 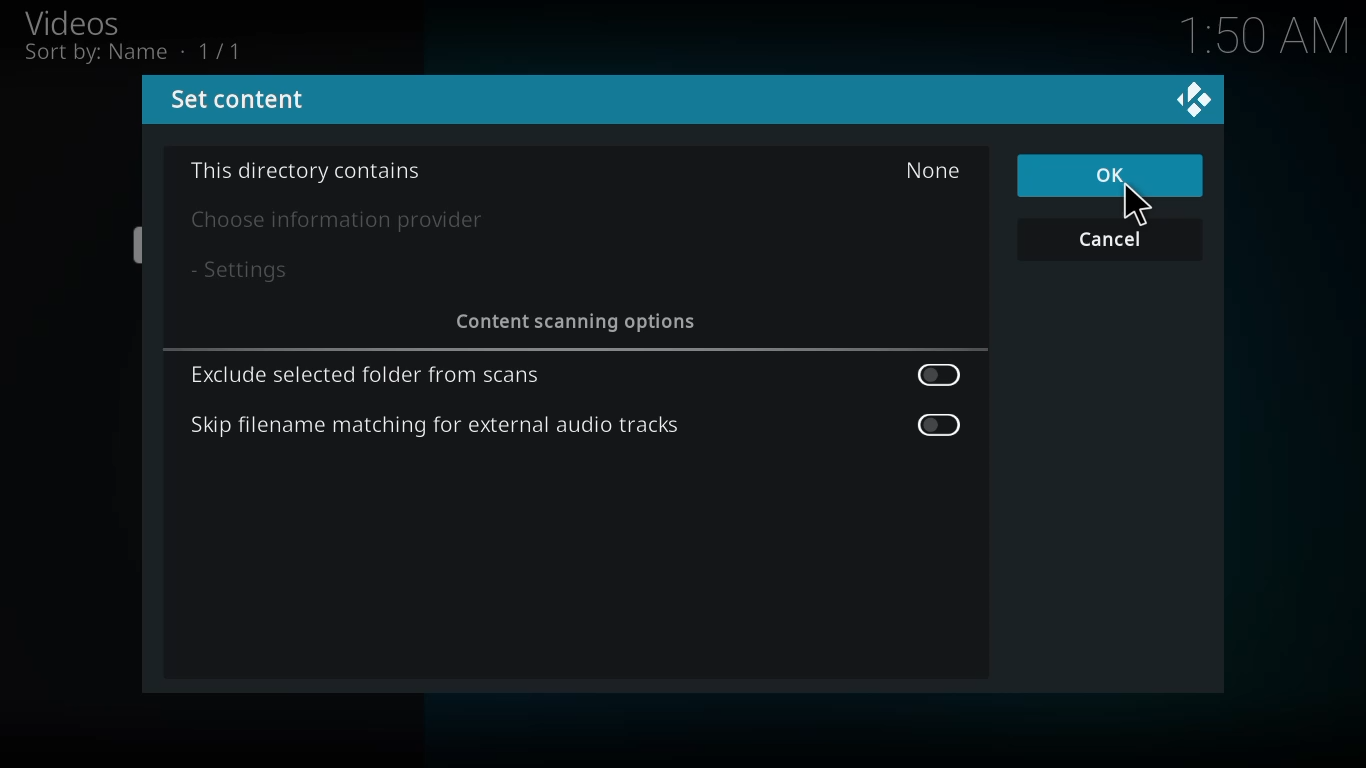 I want to click on time, so click(x=1270, y=37).